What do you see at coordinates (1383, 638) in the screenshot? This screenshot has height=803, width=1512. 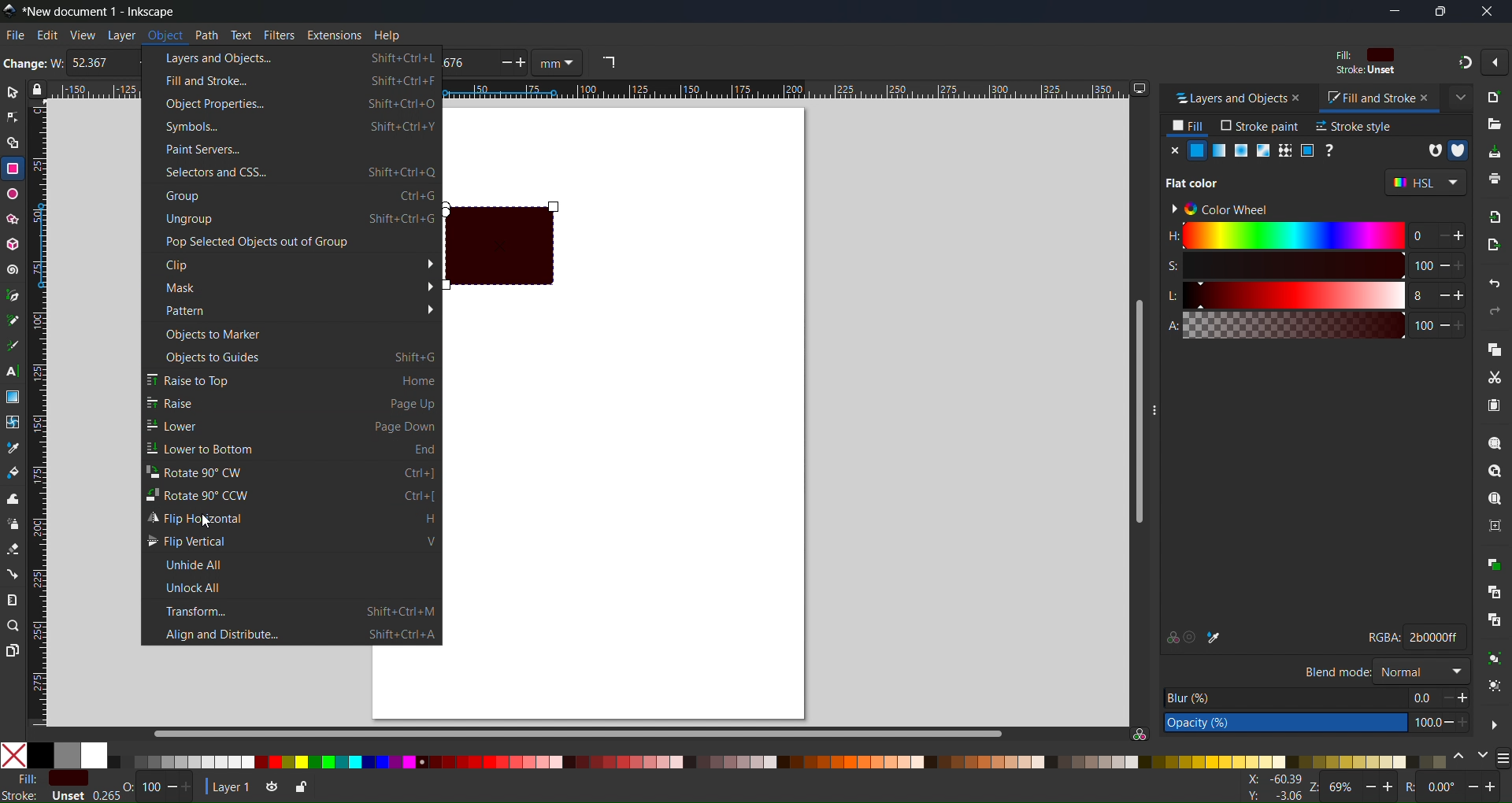 I see `RGBA` at bounding box center [1383, 638].